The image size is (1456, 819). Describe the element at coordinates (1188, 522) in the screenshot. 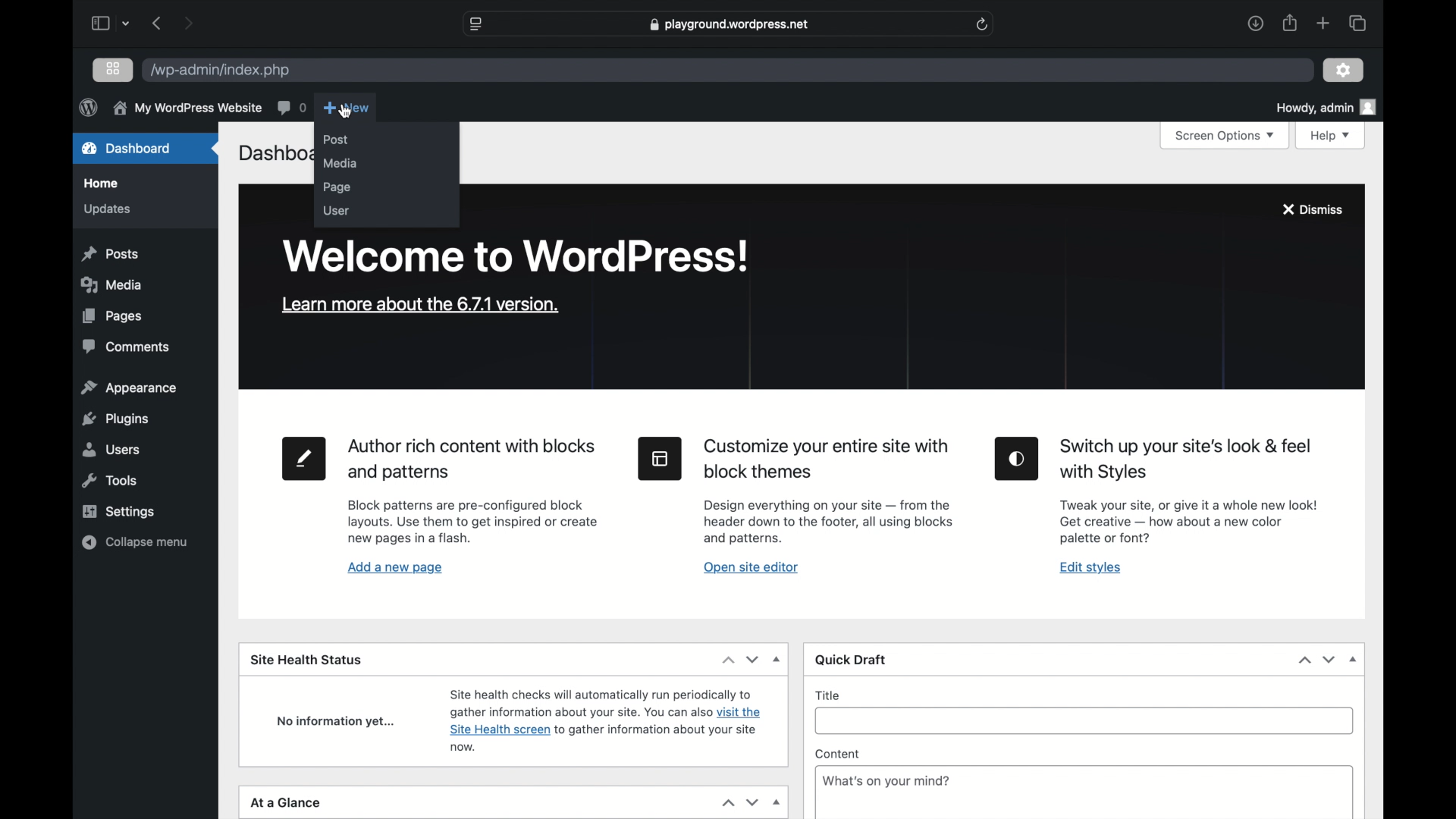

I see `edit style tool information` at that location.